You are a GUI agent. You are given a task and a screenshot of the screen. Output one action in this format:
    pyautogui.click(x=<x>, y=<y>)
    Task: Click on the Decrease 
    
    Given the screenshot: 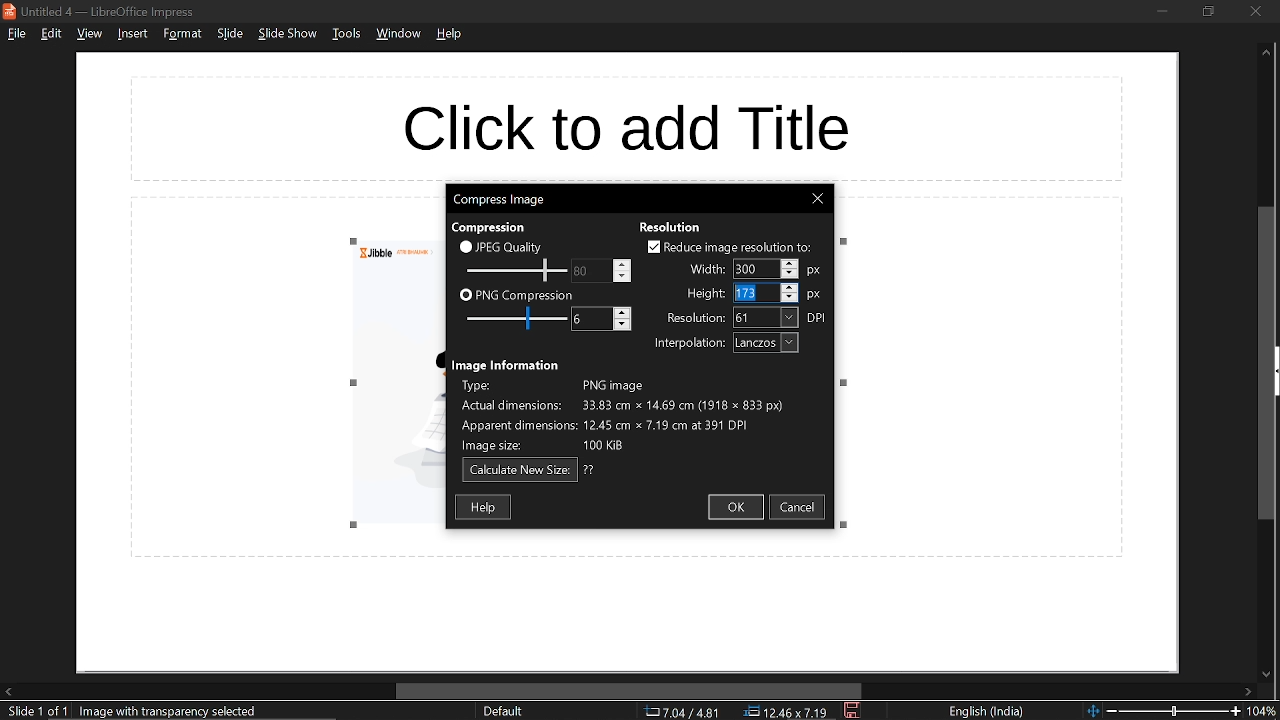 What is the action you would take?
    pyautogui.click(x=790, y=275)
    